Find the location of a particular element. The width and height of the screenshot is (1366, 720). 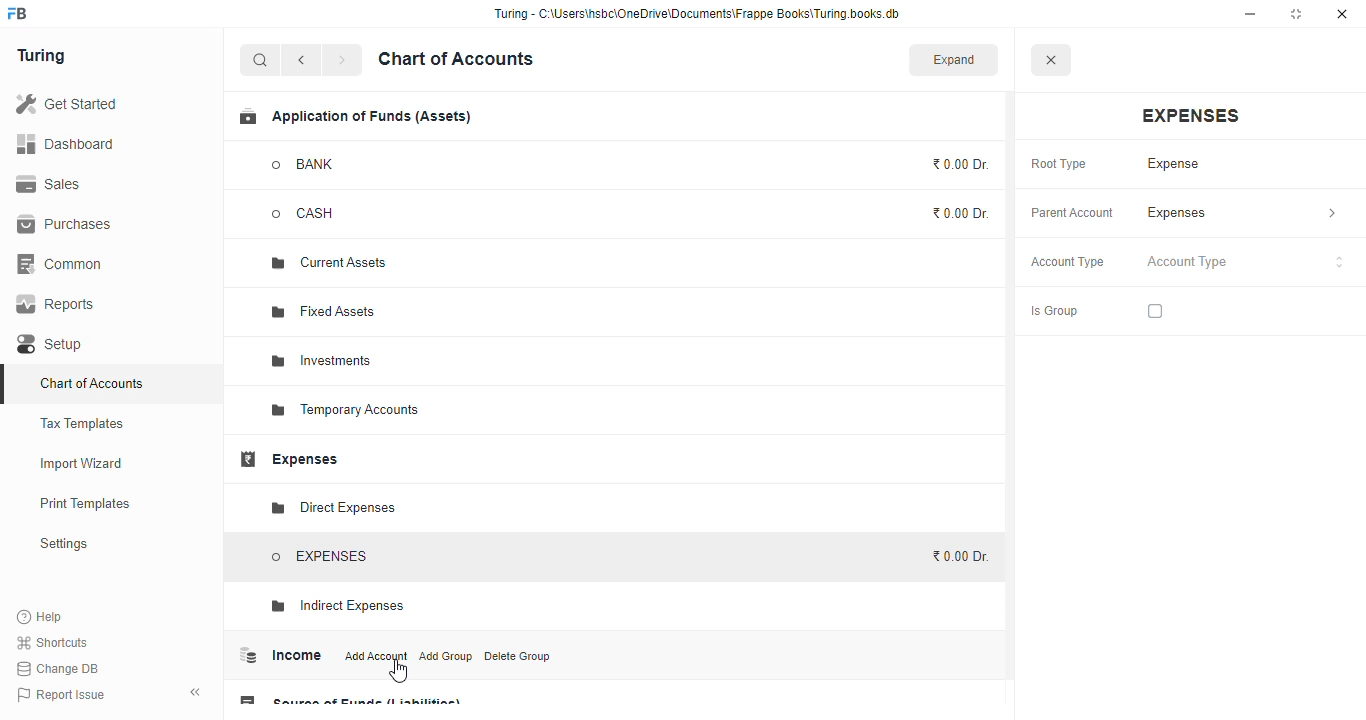

shortcuts is located at coordinates (53, 642).